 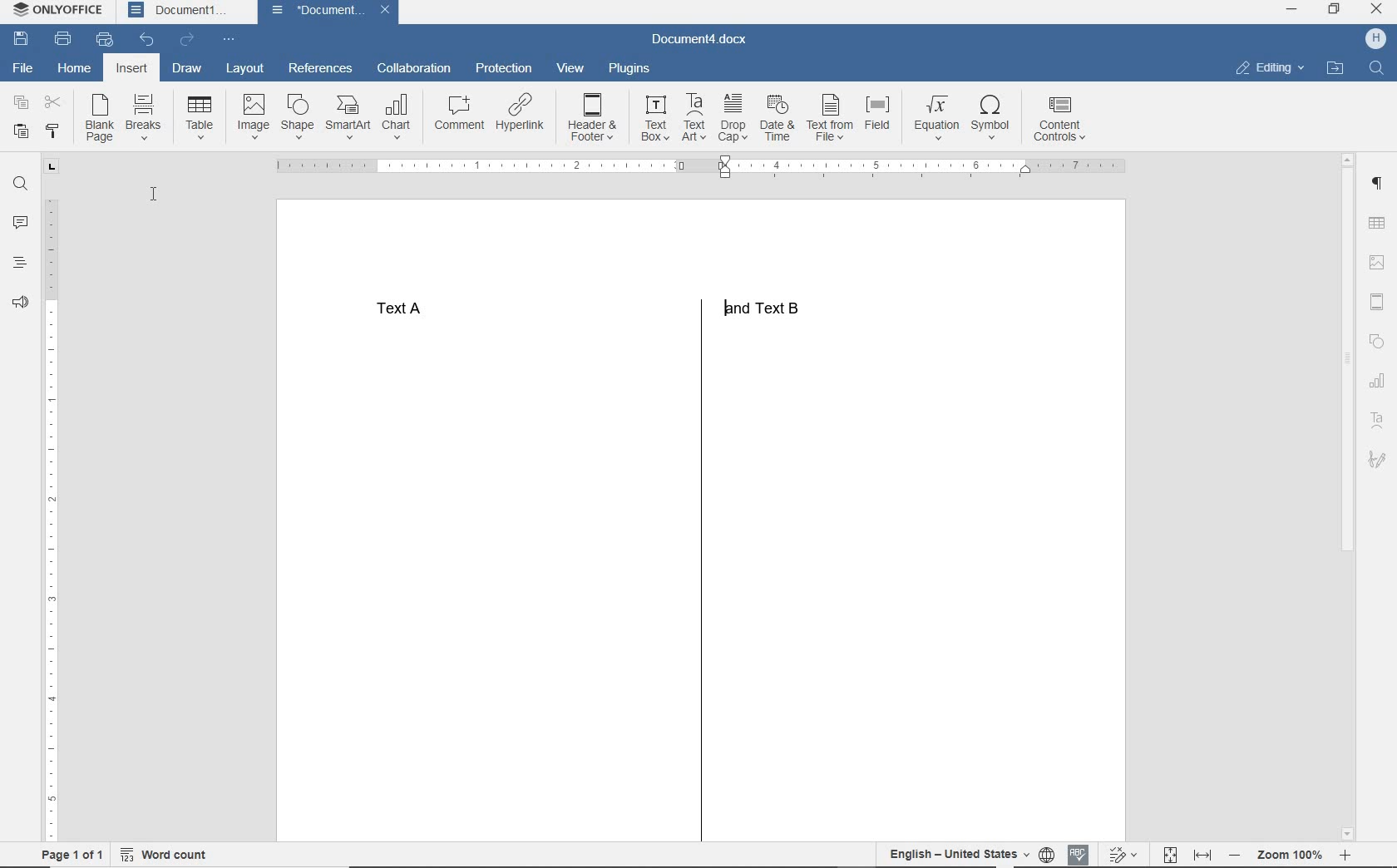 What do you see at coordinates (1377, 341) in the screenshot?
I see `SHAPE` at bounding box center [1377, 341].